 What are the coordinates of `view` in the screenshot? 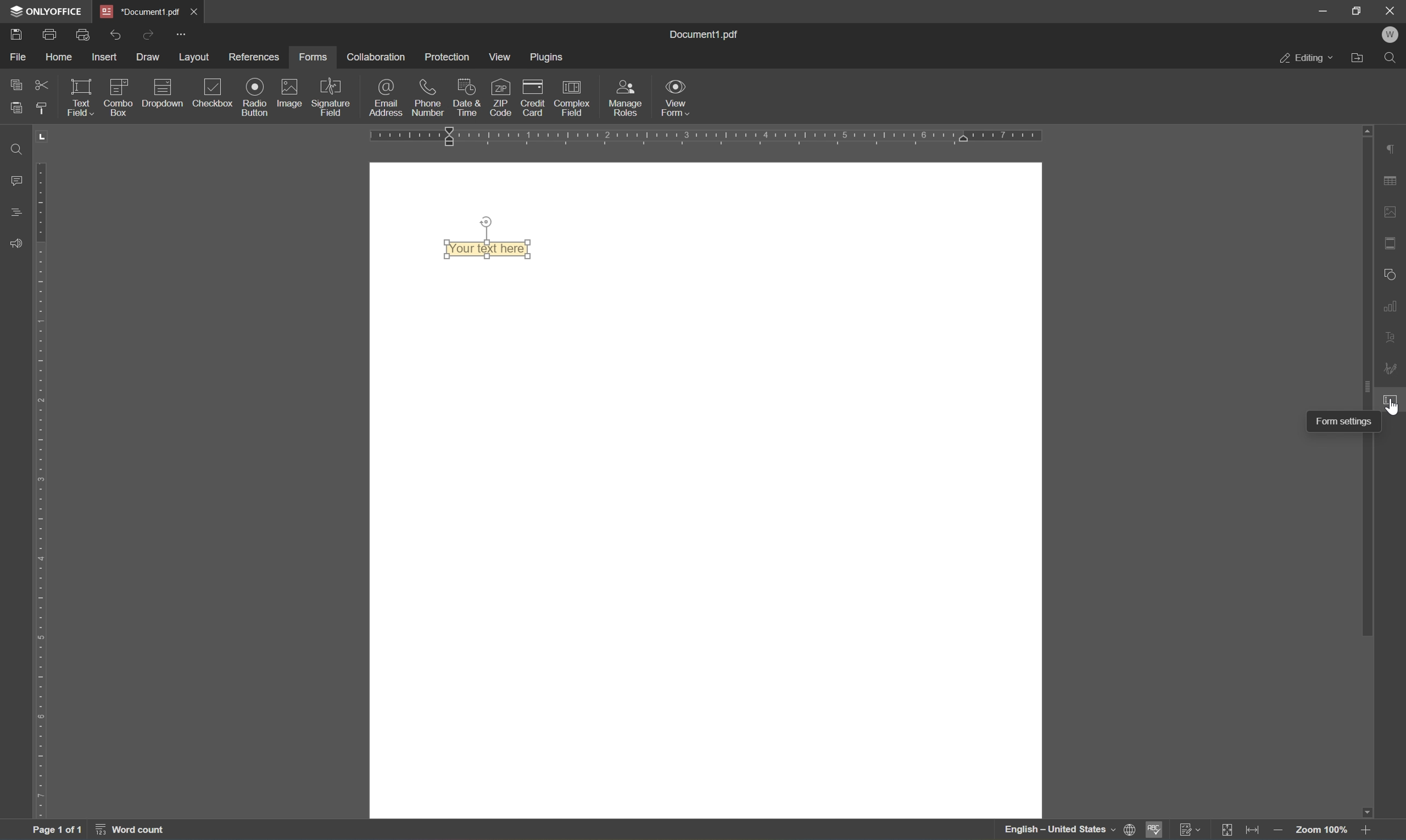 It's located at (499, 59).